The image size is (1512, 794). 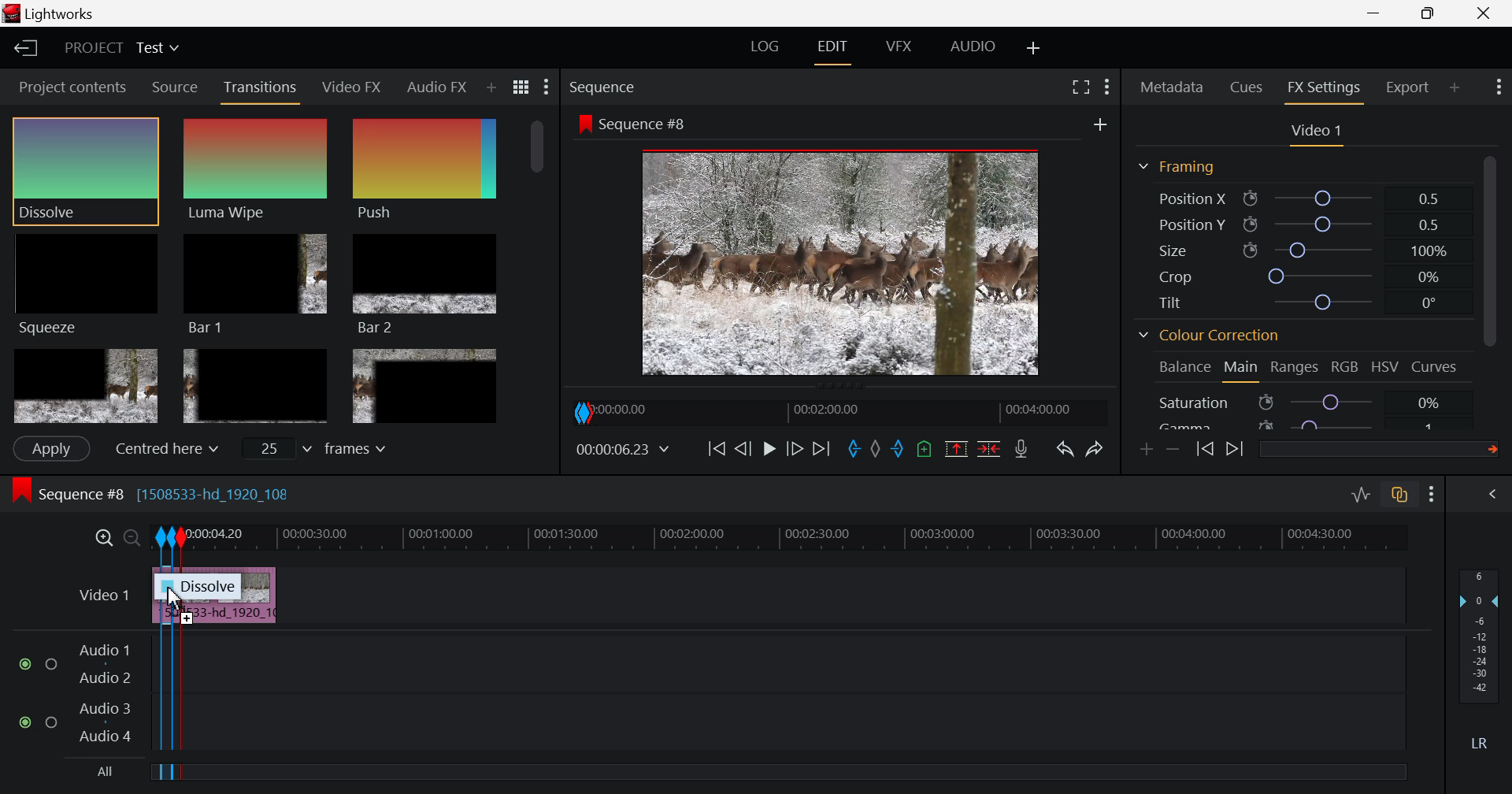 I want to click on Image, so click(x=846, y=265).